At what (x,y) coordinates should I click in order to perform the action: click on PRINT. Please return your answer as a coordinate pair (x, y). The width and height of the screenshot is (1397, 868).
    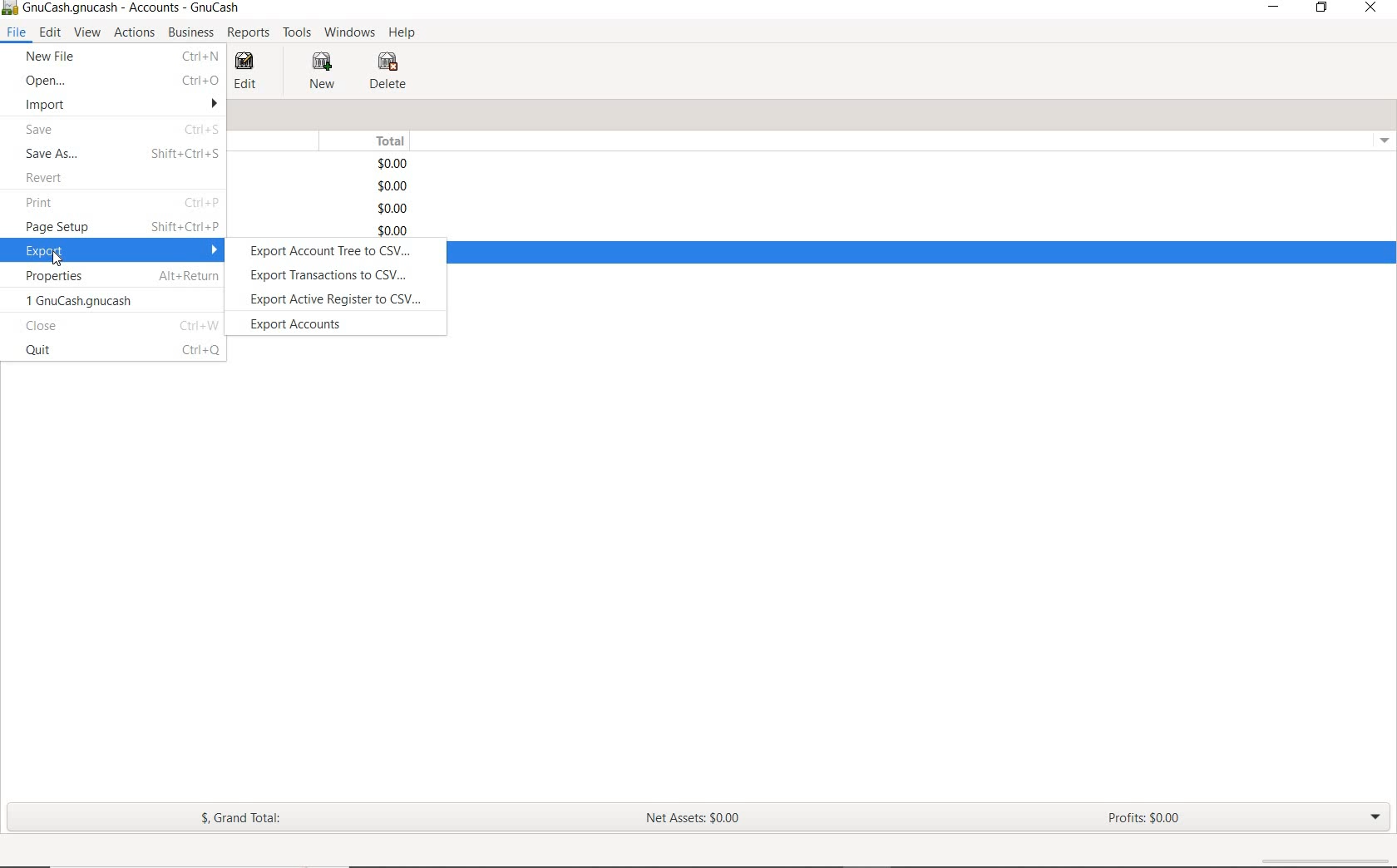
    Looking at the image, I should click on (38, 204).